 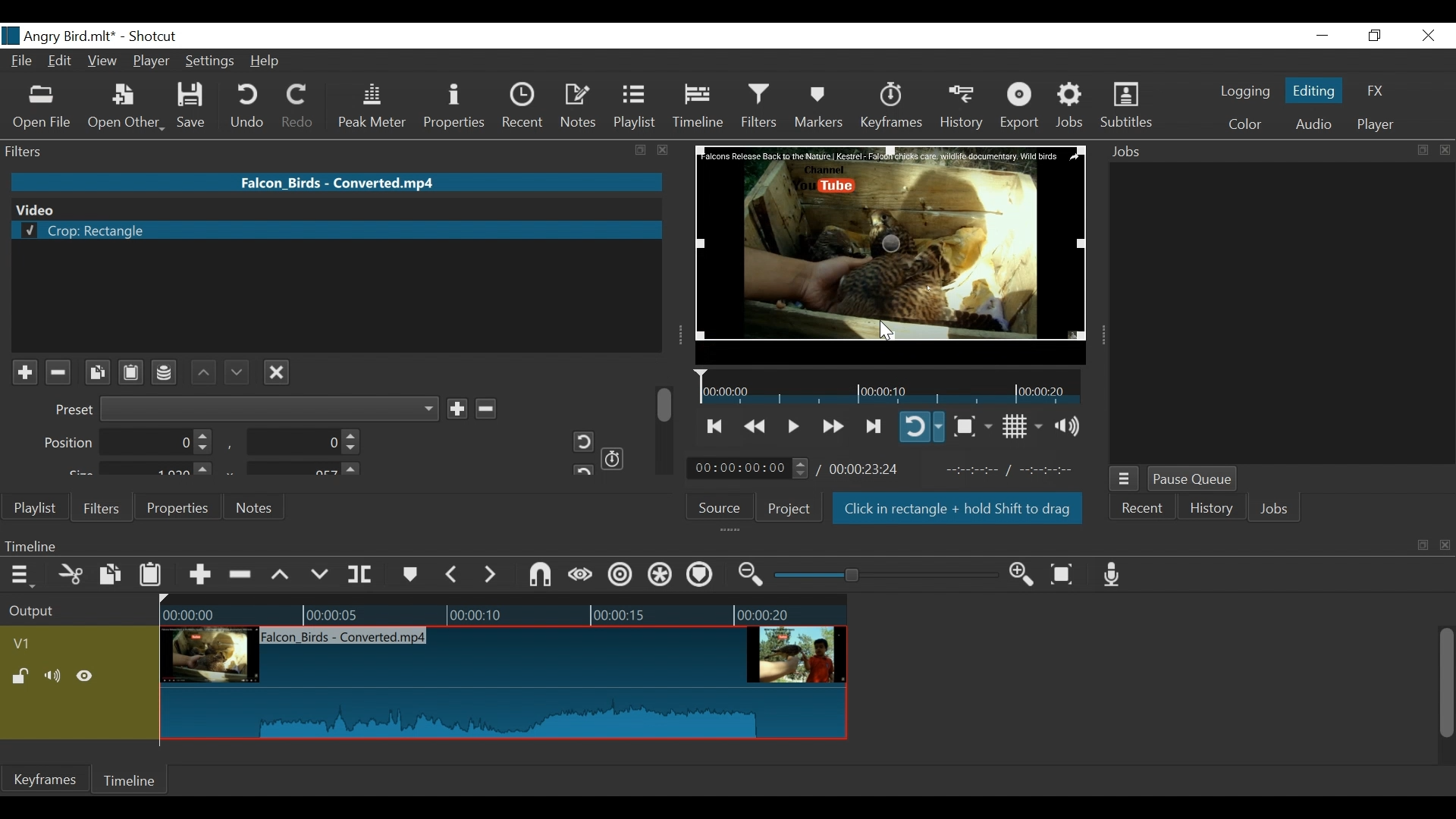 I want to click on Vertical Scroll bar, so click(x=1445, y=685).